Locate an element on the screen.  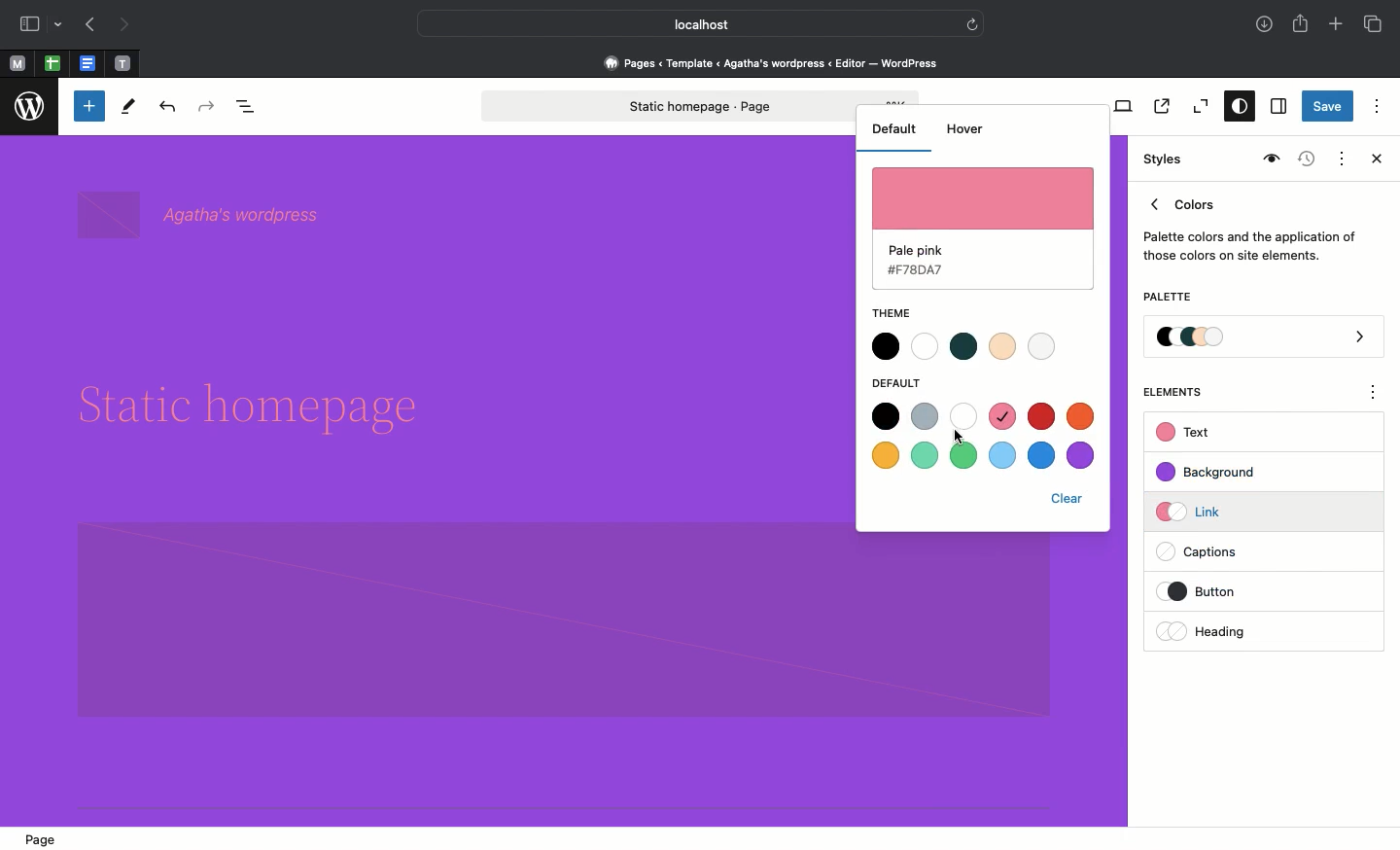
Block is located at coordinates (564, 619).